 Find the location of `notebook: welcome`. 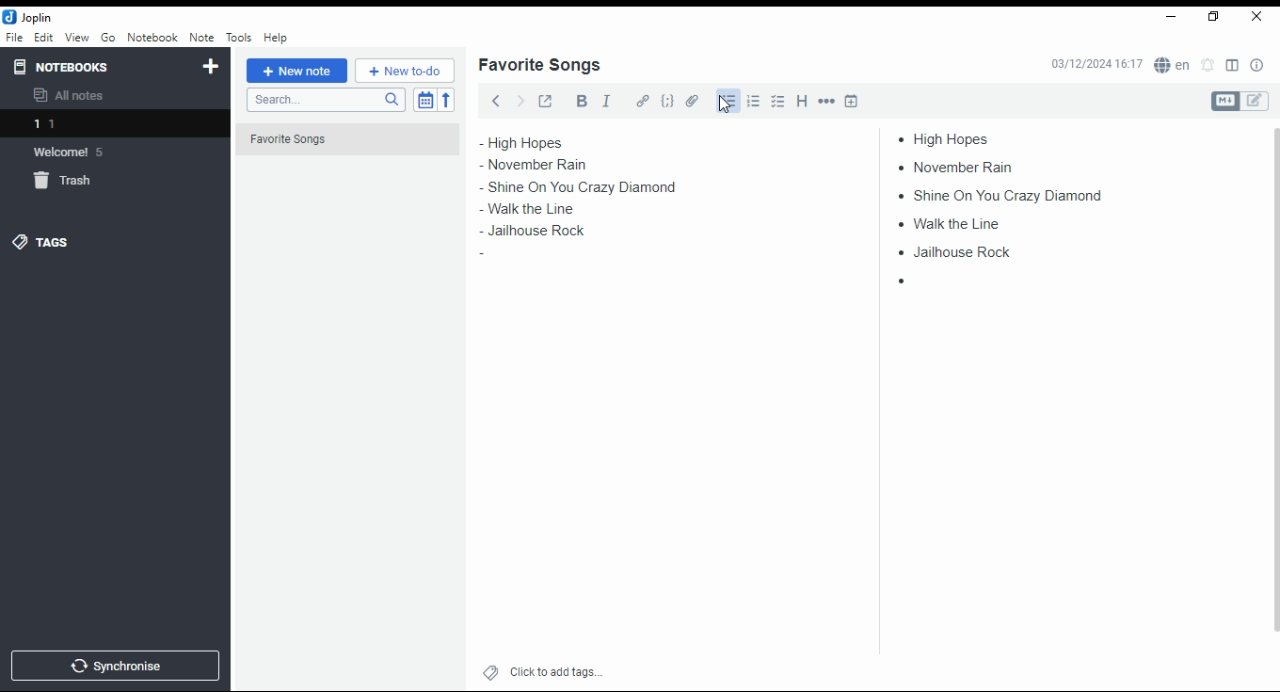

notebook: welcome is located at coordinates (73, 151).